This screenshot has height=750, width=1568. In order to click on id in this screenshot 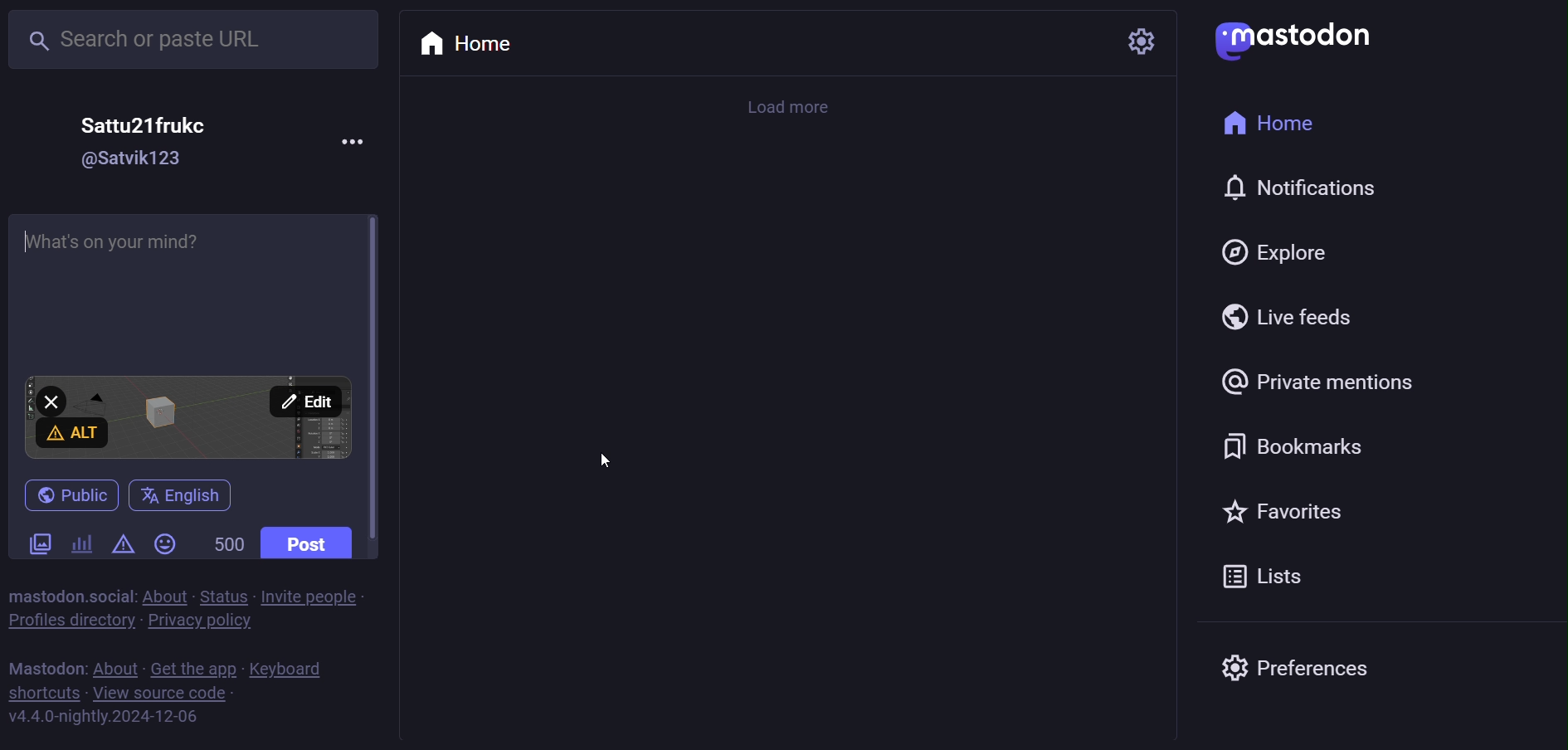, I will do `click(134, 163)`.